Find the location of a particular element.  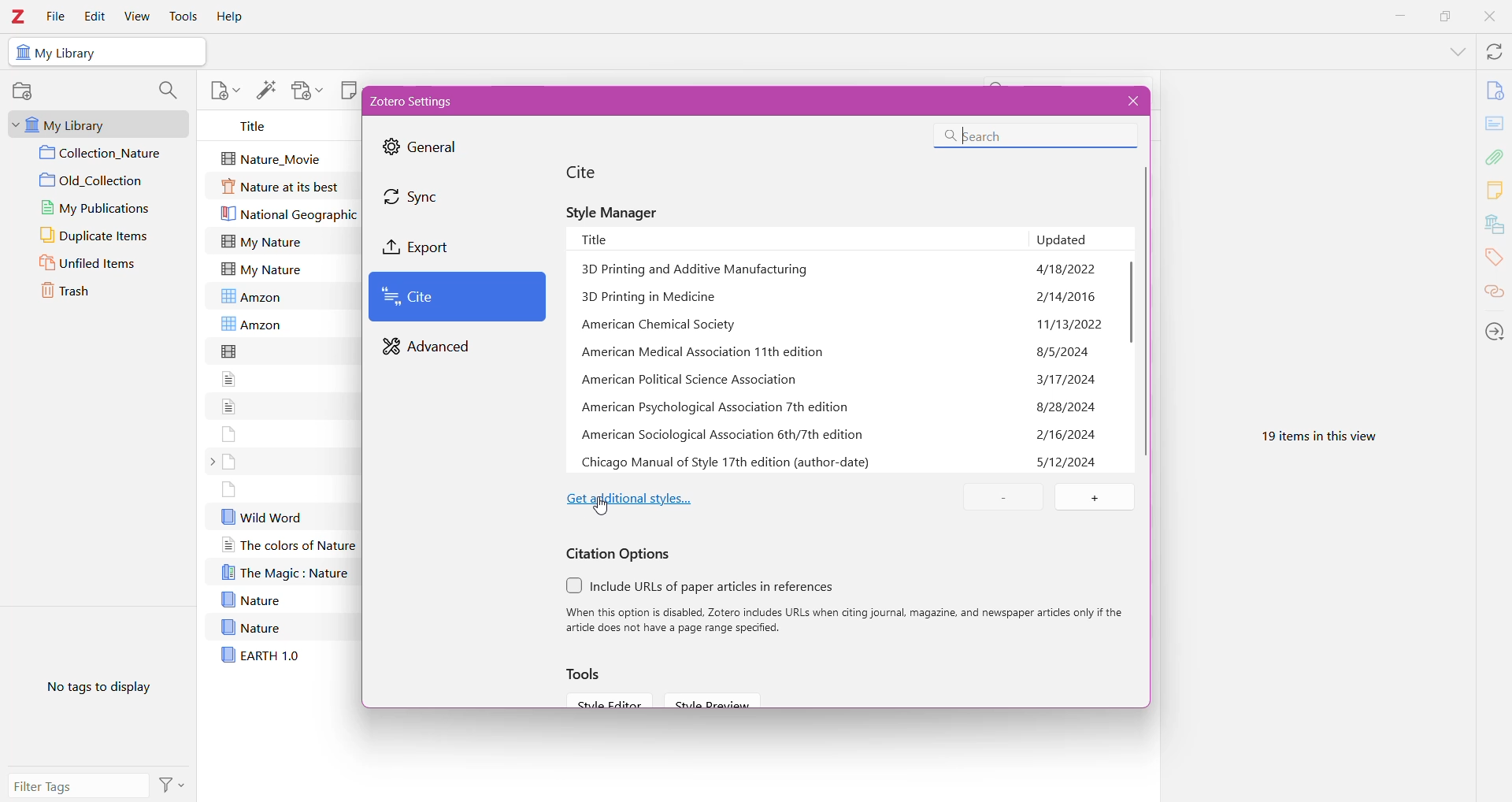

General is located at coordinates (426, 148).